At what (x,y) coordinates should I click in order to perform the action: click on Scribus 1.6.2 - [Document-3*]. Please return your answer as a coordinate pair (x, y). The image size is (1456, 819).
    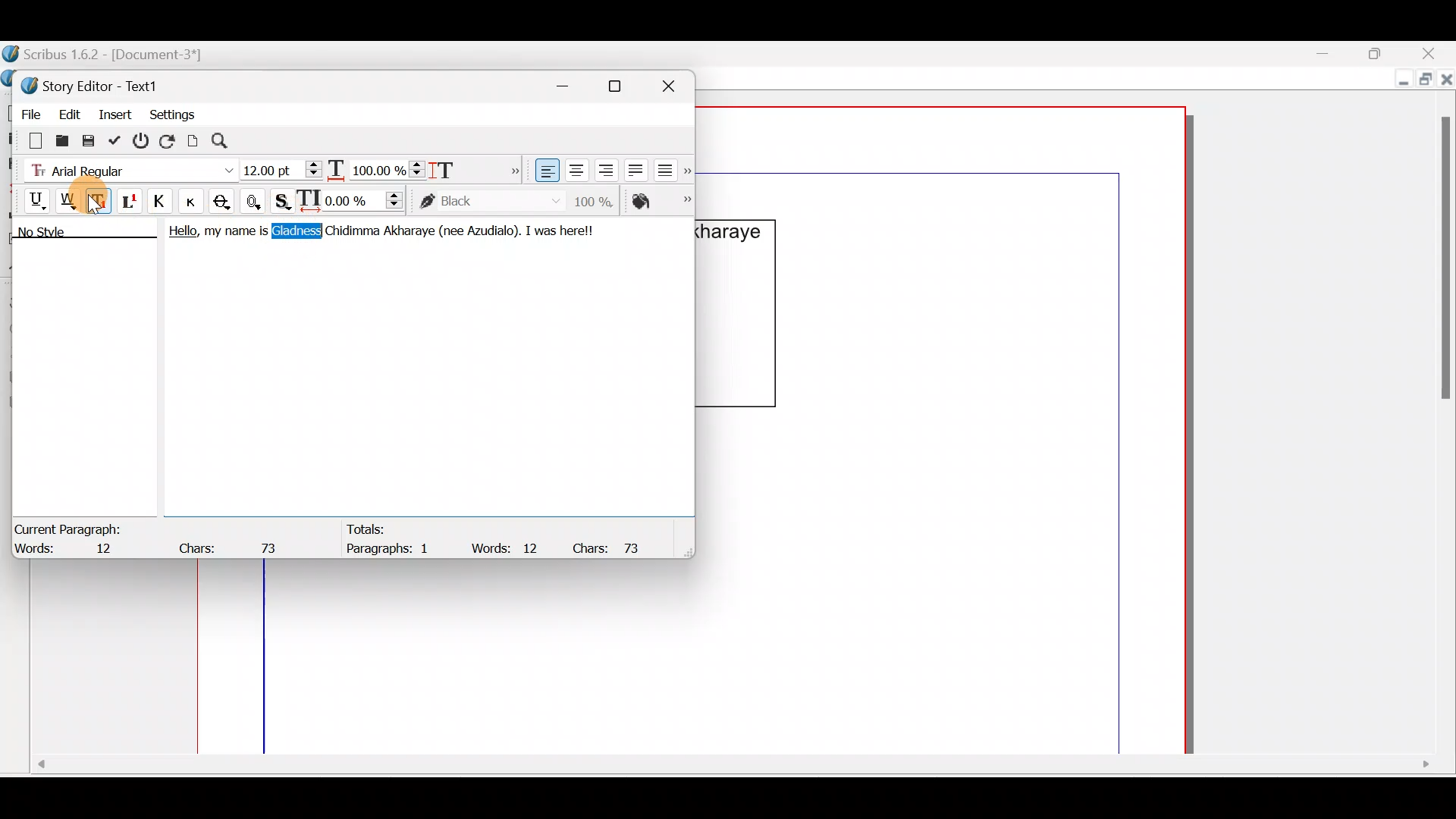
    Looking at the image, I should click on (120, 55).